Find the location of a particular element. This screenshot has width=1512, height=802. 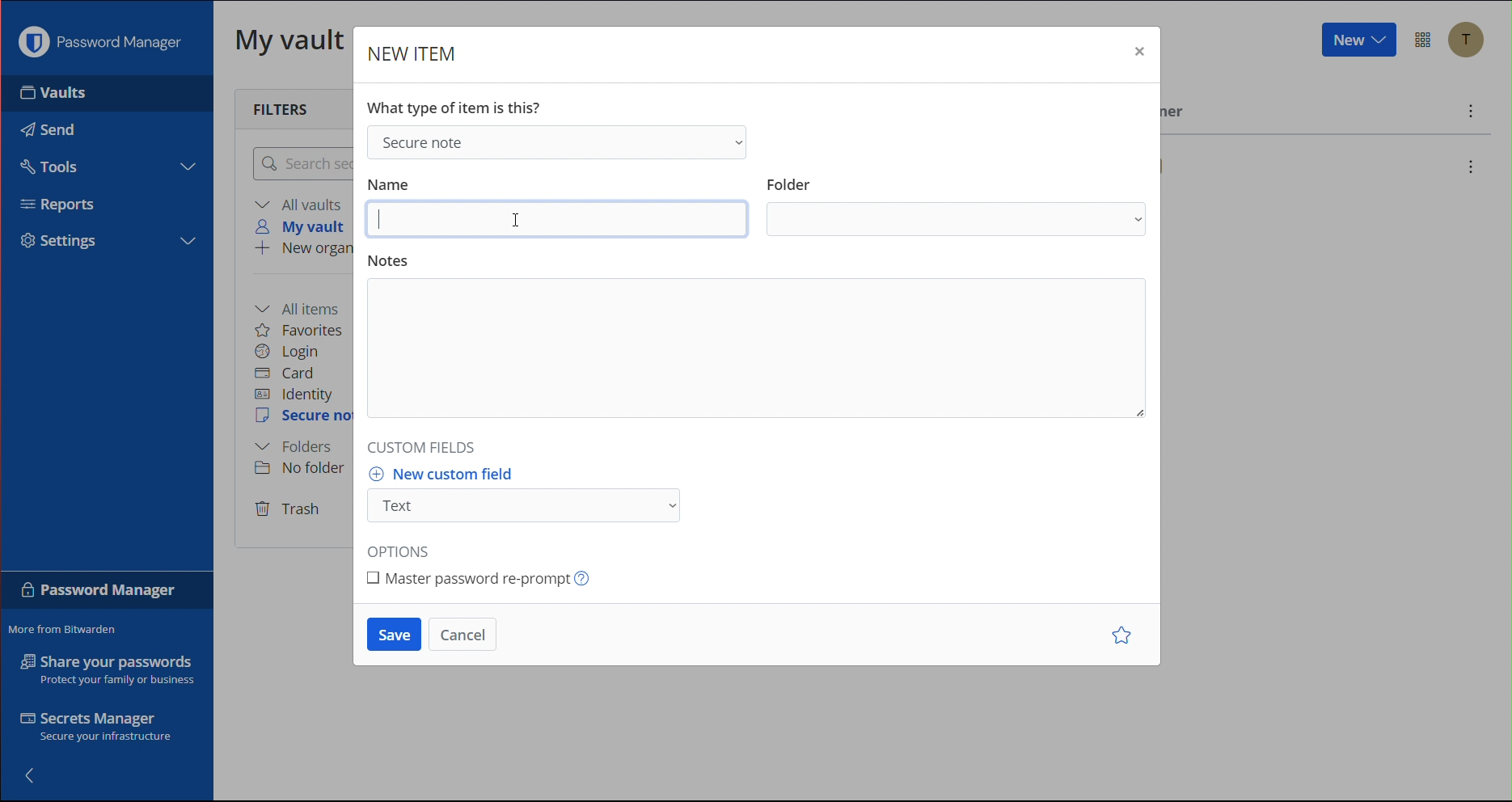

All vaults is located at coordinates (302, 204).